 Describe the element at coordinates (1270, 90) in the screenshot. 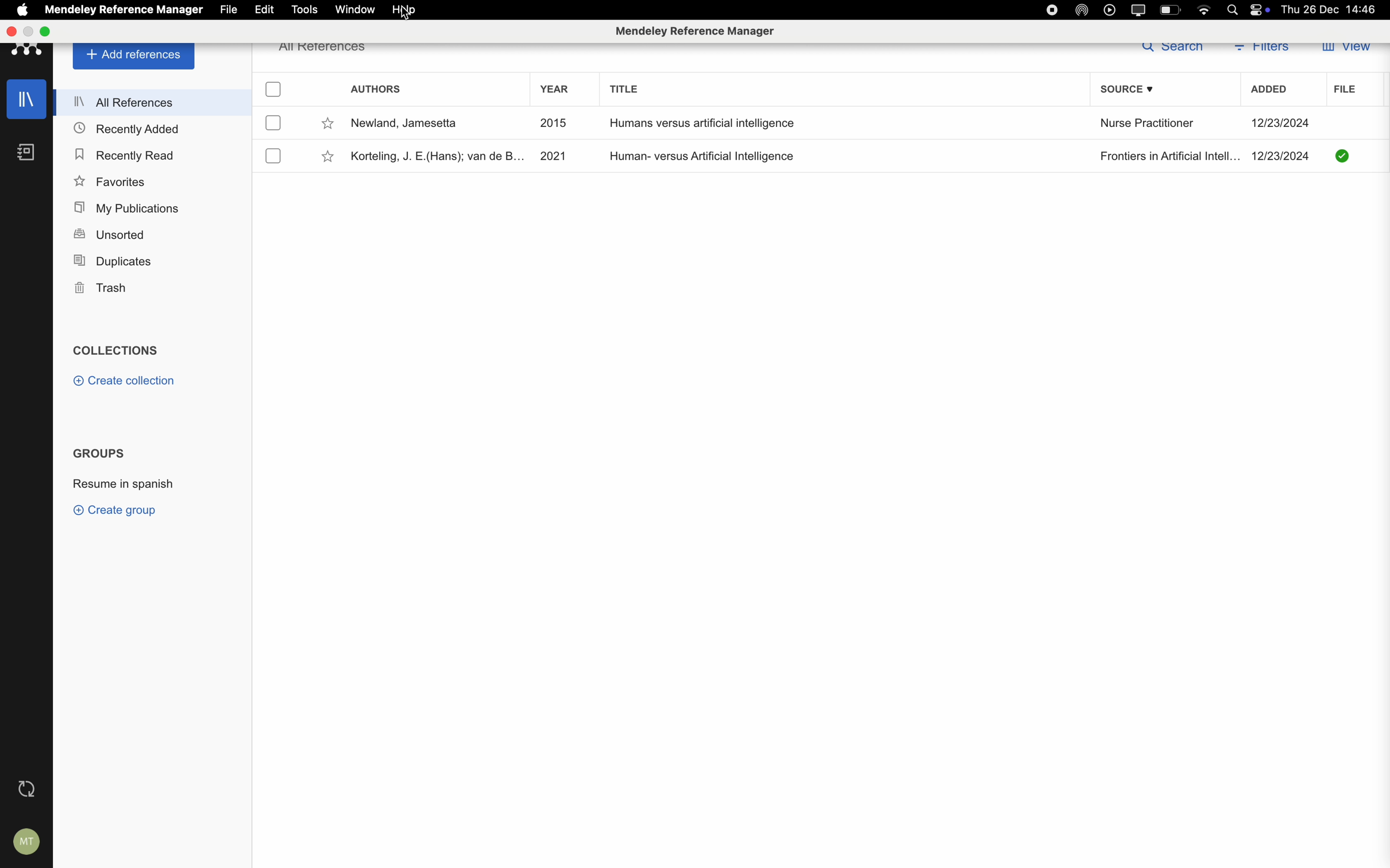

I see `added` at that location.